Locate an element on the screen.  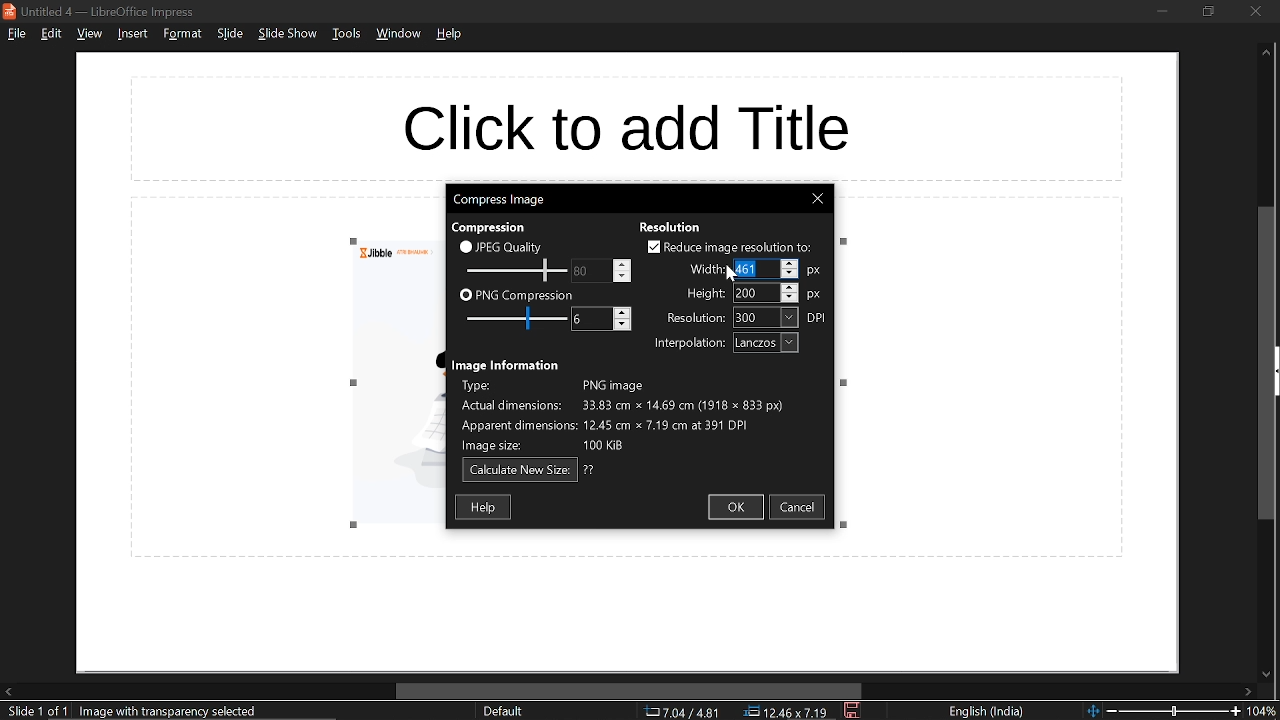
px is located at coordinates (815, 295).